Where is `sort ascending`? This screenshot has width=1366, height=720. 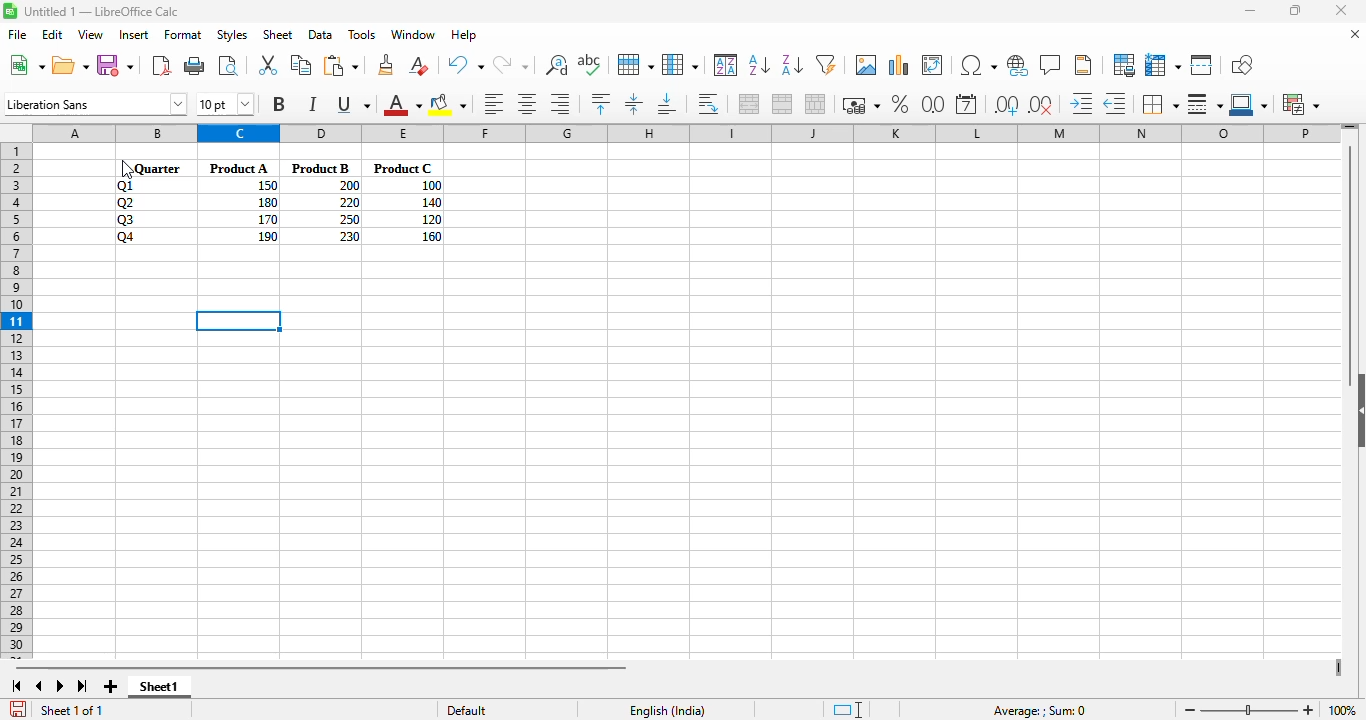 sort ascending is located at coordinates (760, 65).